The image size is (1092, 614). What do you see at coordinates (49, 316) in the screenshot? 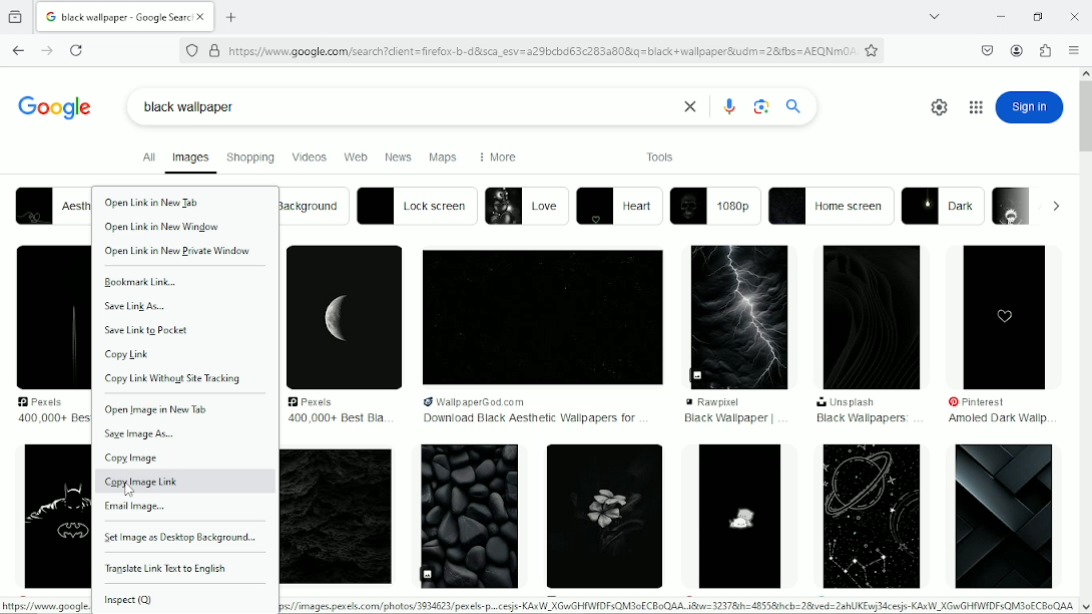
I see `black image` at bounding box center [49, 316].